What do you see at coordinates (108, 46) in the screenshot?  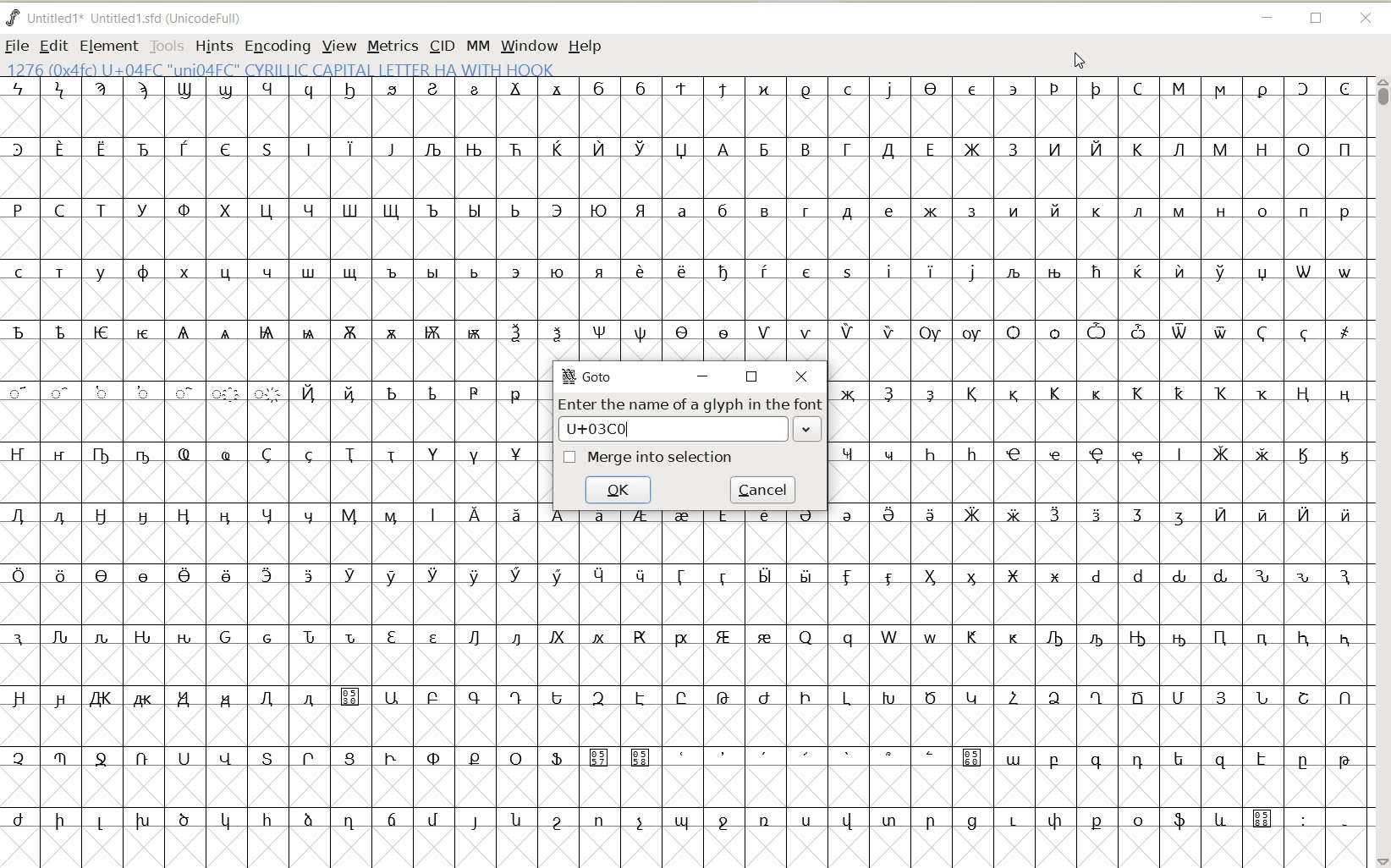 I see `ELEMENT` at bounding box center [108, 46].